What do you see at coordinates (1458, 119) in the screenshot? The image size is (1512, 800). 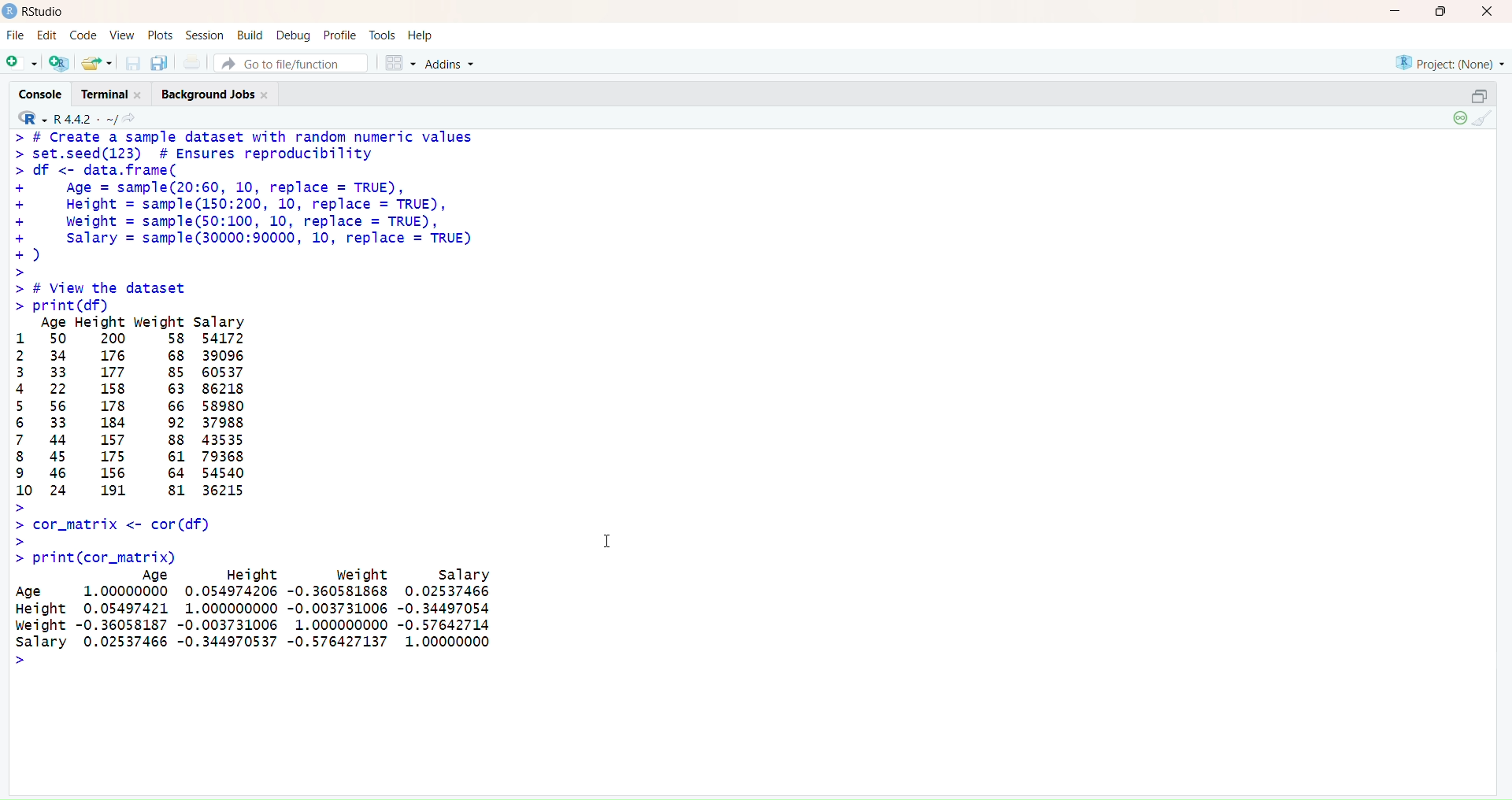 I see `Session suspend timeout passed: A child process is running` at bounding box center [1458, 119].